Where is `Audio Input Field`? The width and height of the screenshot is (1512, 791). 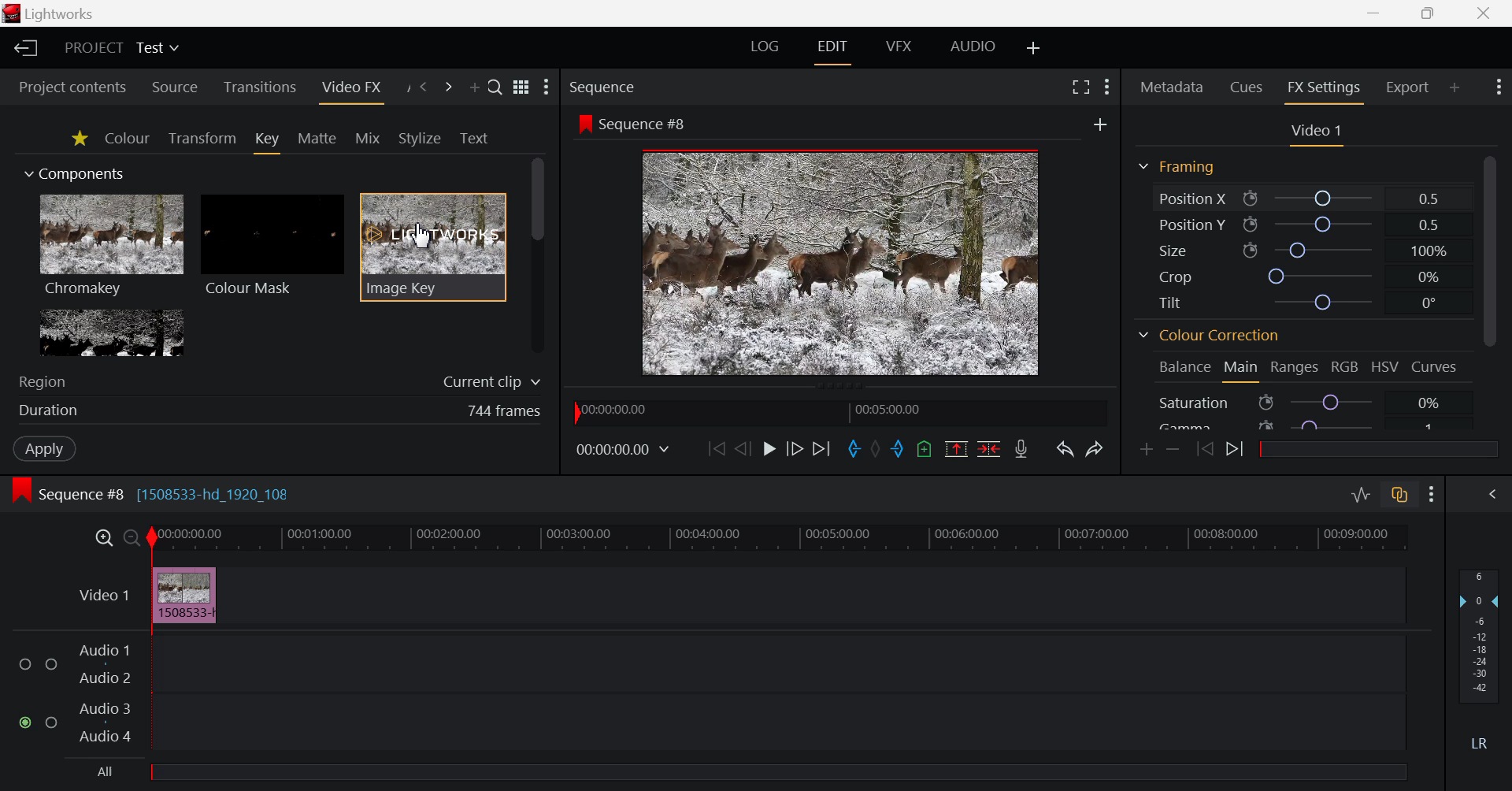 Audio Input Field is located at coordinates (775, 691).